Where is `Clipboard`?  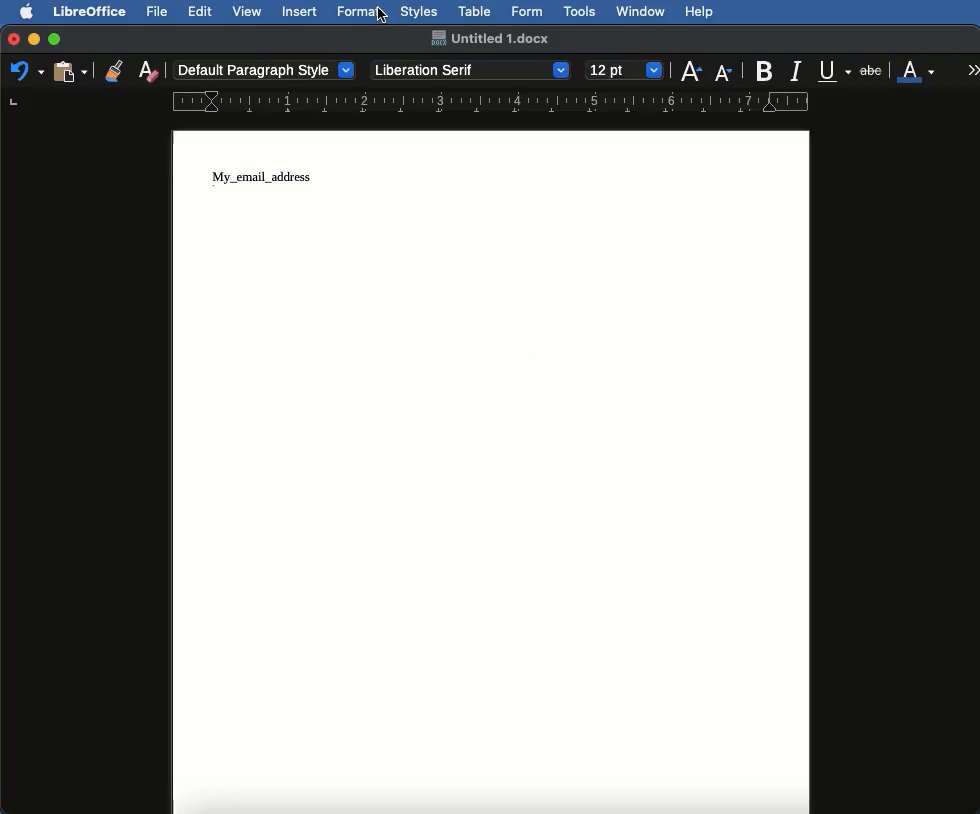
Clipboard is located at coordinates (70, 70).